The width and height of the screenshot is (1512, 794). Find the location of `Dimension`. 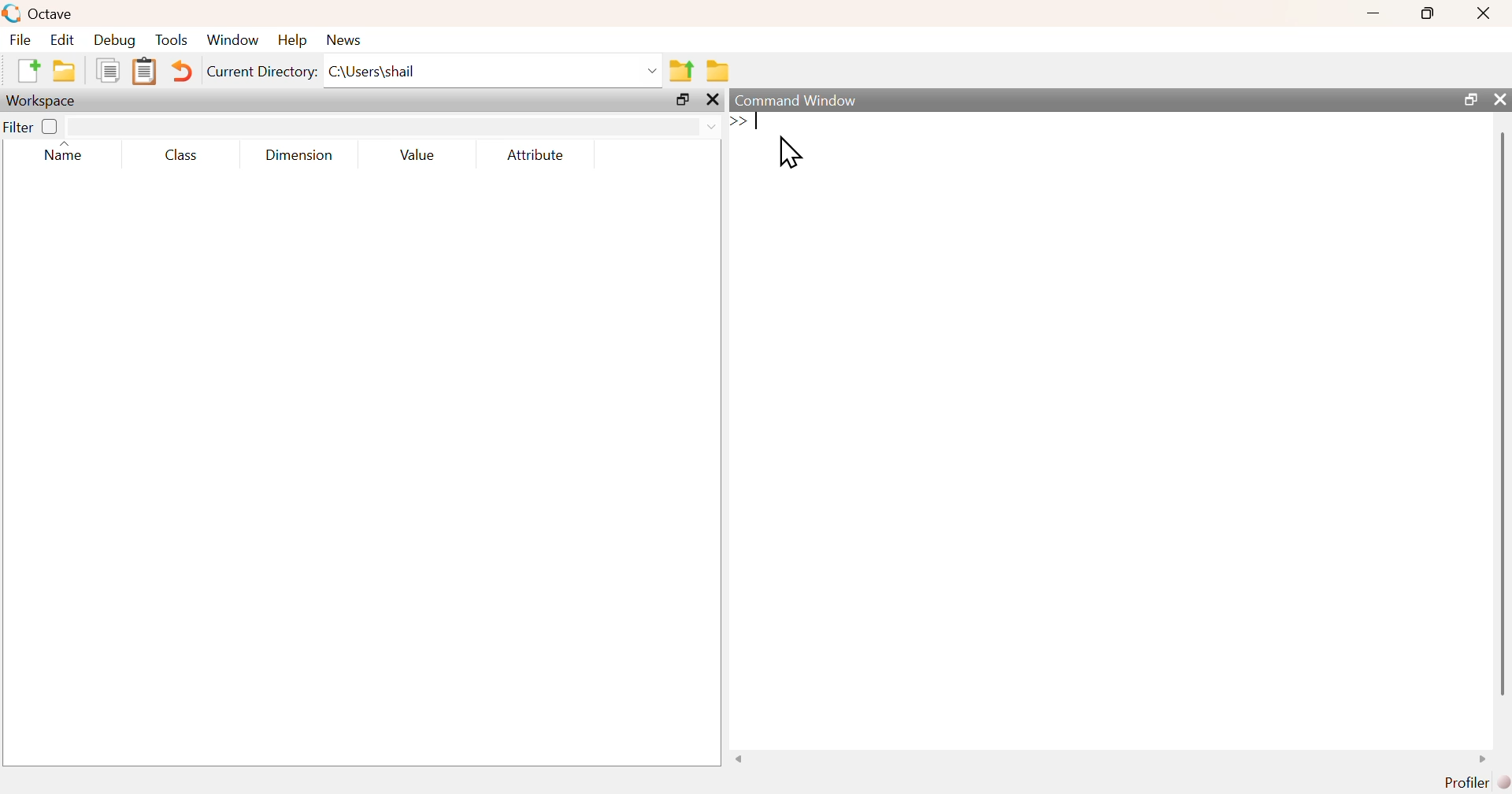

Dimension is located at coordinates (301, 155).